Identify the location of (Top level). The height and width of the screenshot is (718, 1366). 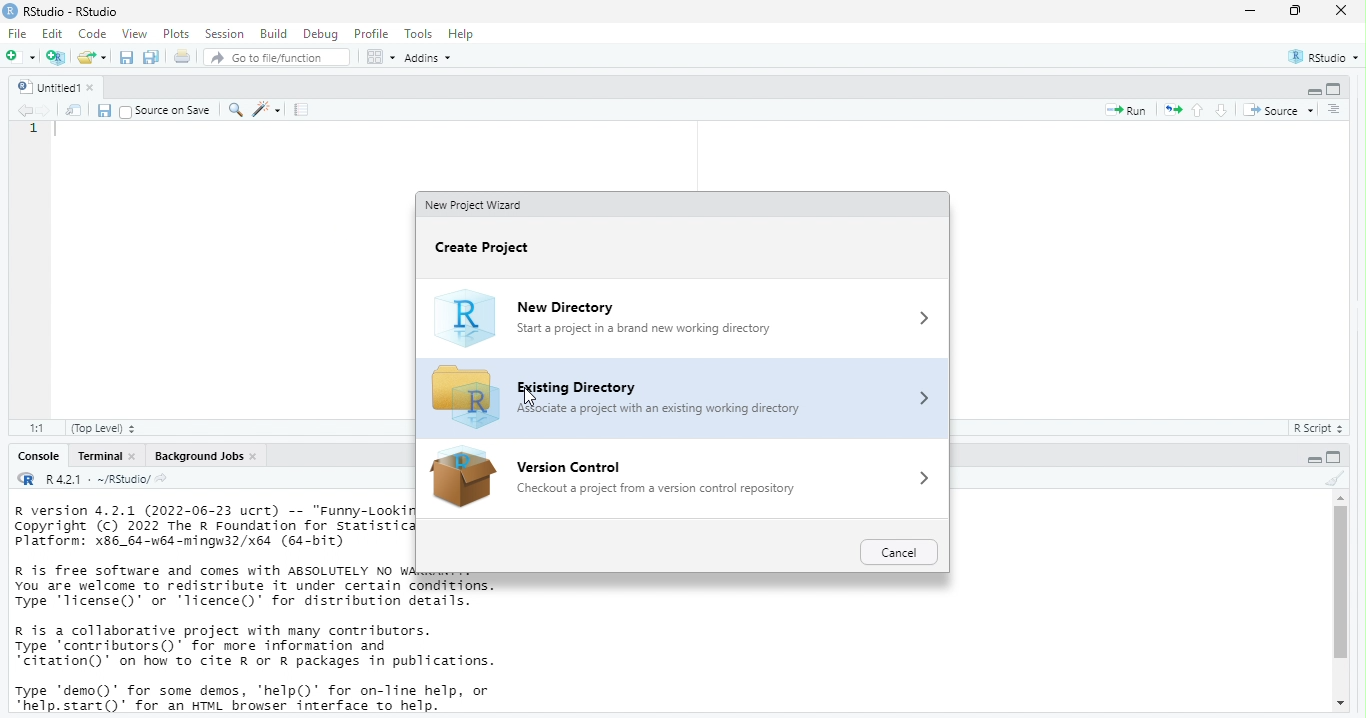
(108, 428).